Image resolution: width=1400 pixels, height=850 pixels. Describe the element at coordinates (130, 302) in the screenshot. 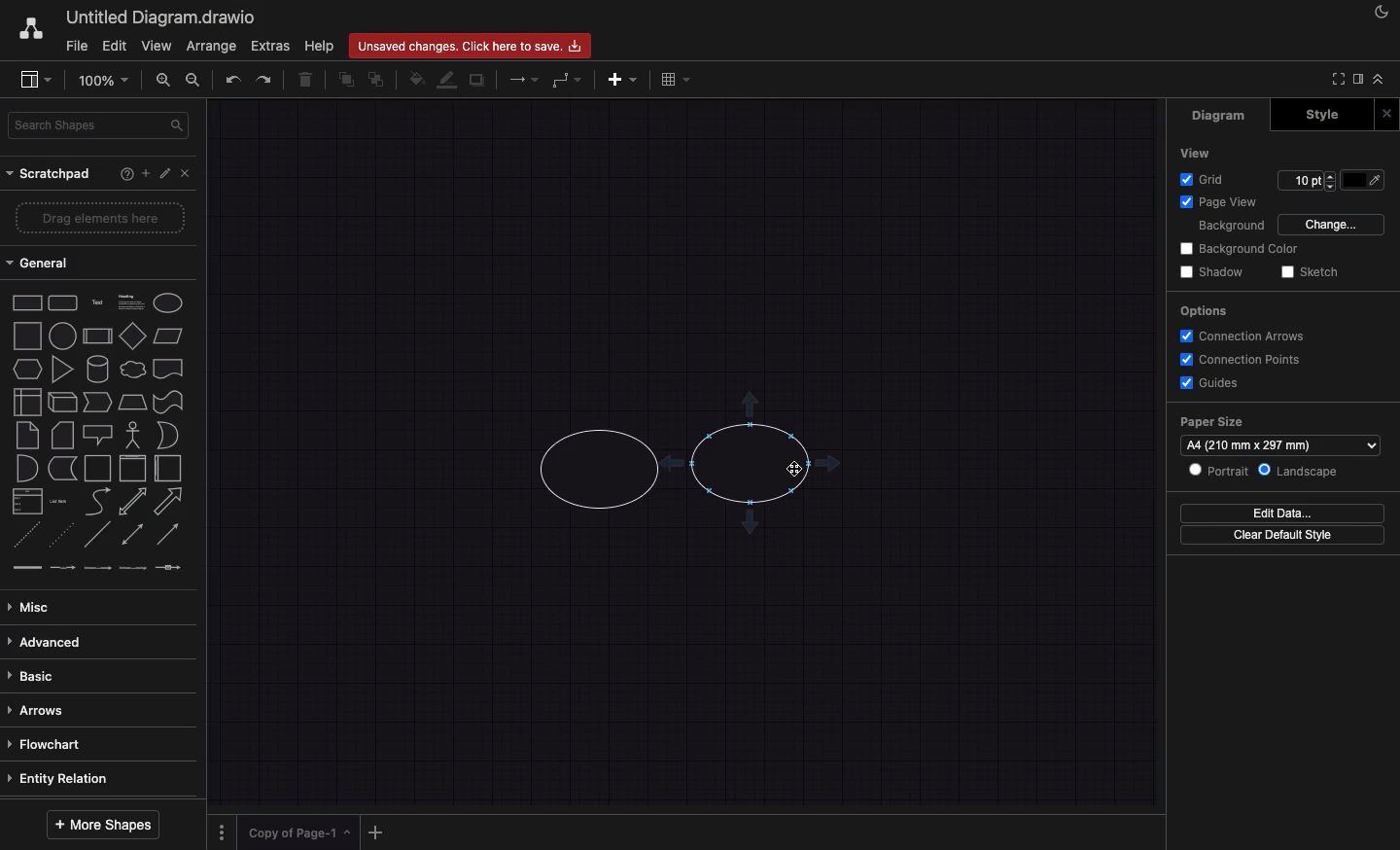

I see `heading` at that location.